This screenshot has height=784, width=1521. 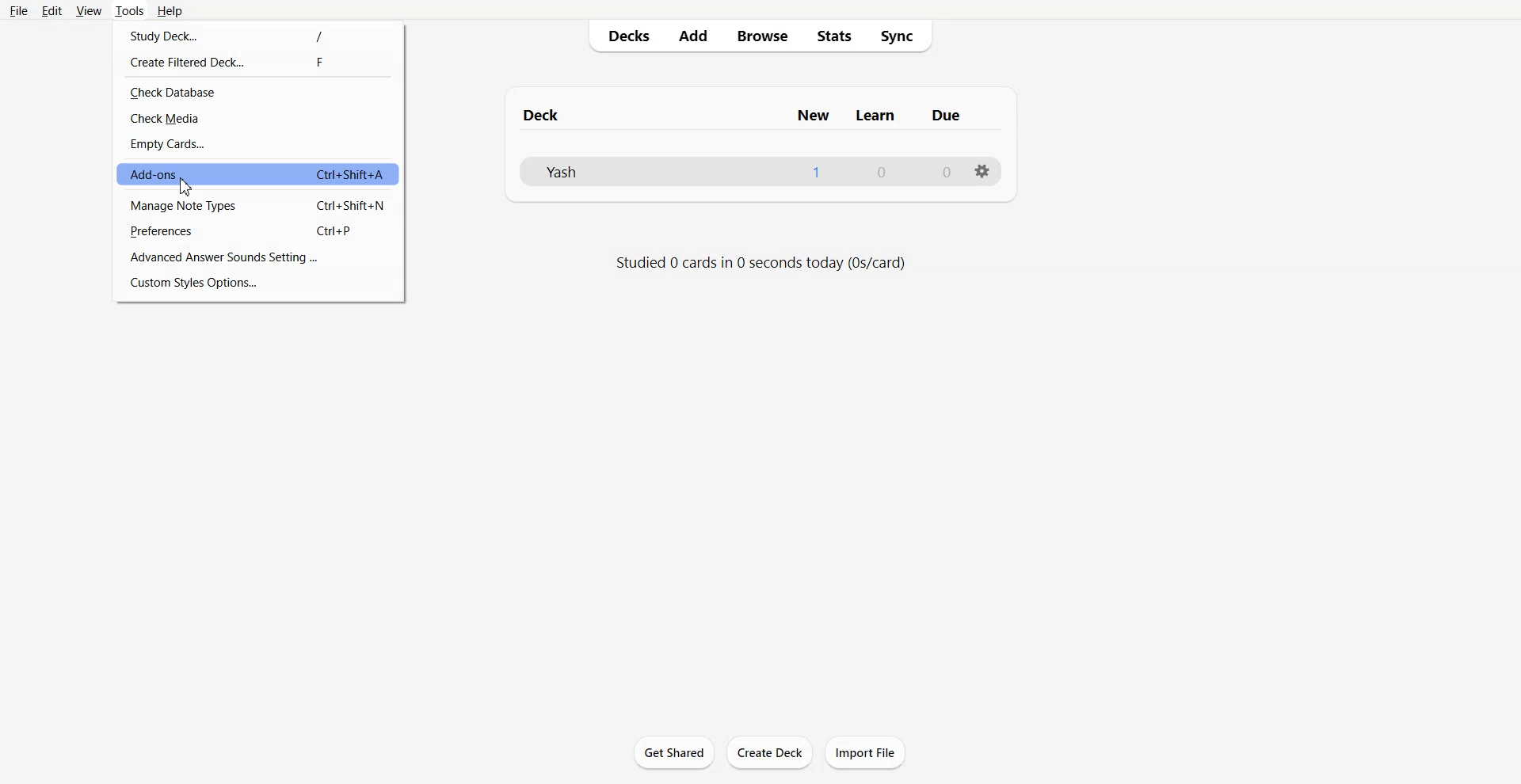 I want to click on 1, so click(x=816, y=171).